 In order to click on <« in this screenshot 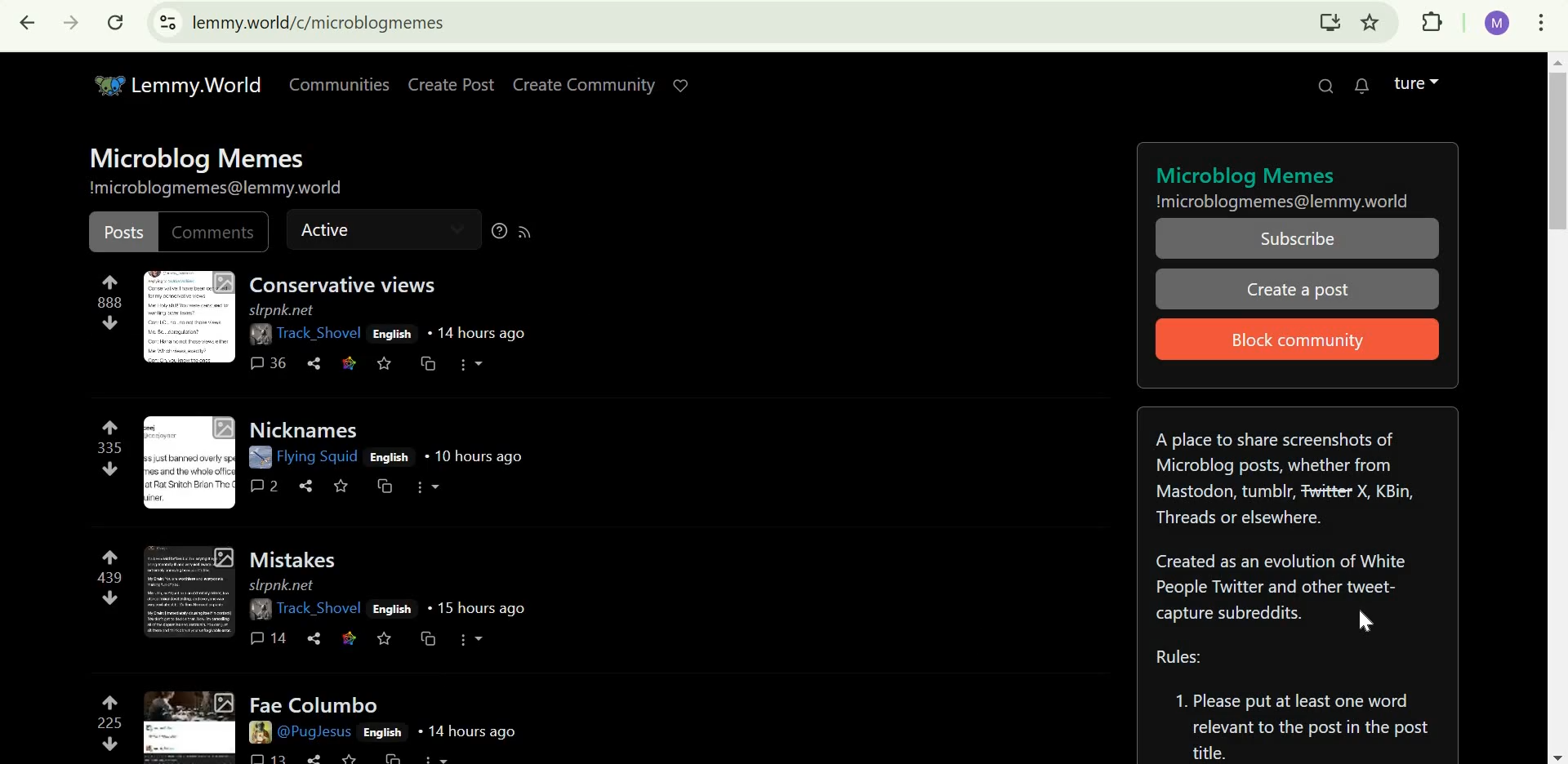, I will do `click(26, 24)`.